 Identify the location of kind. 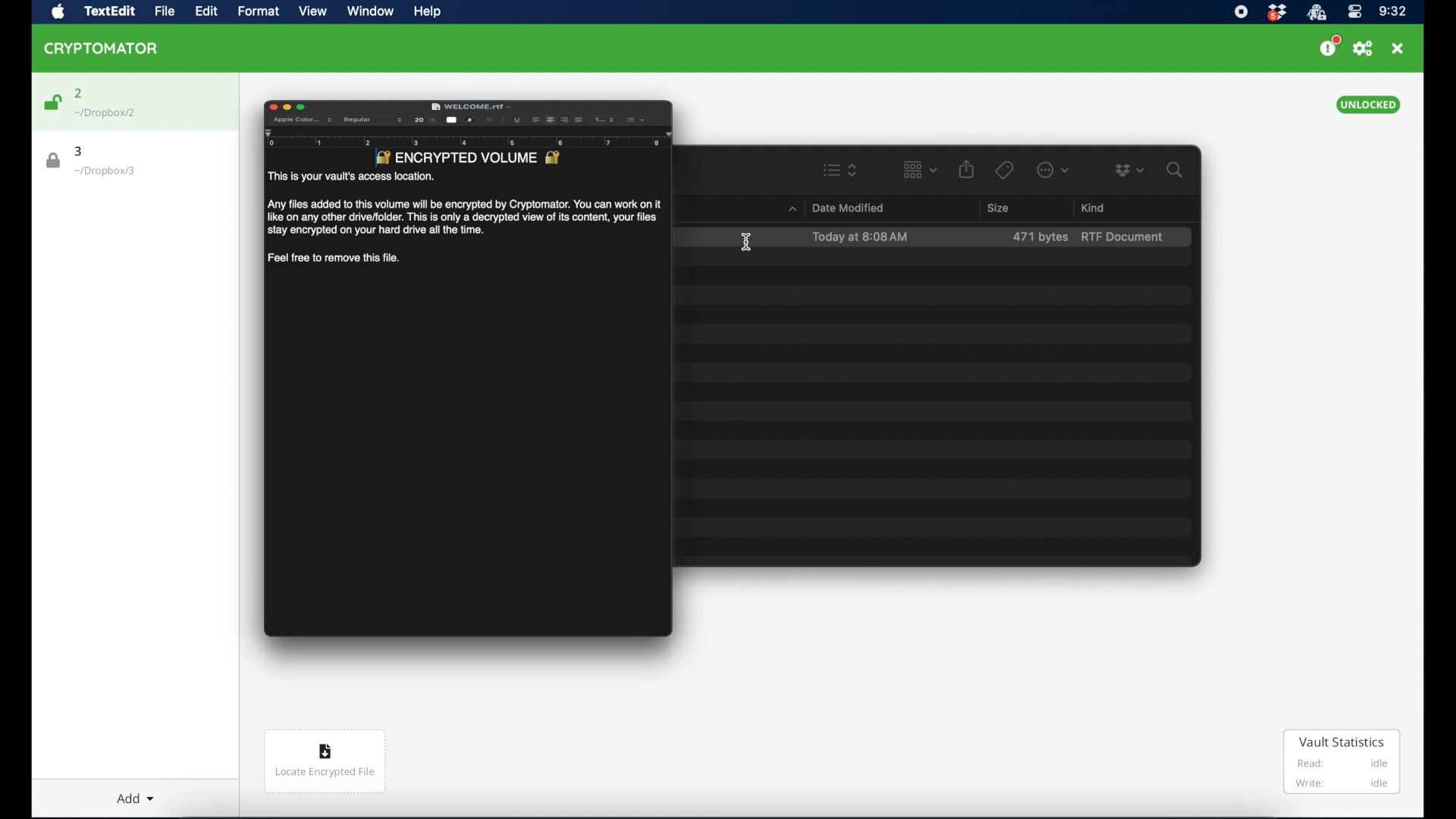
(1092, 206).